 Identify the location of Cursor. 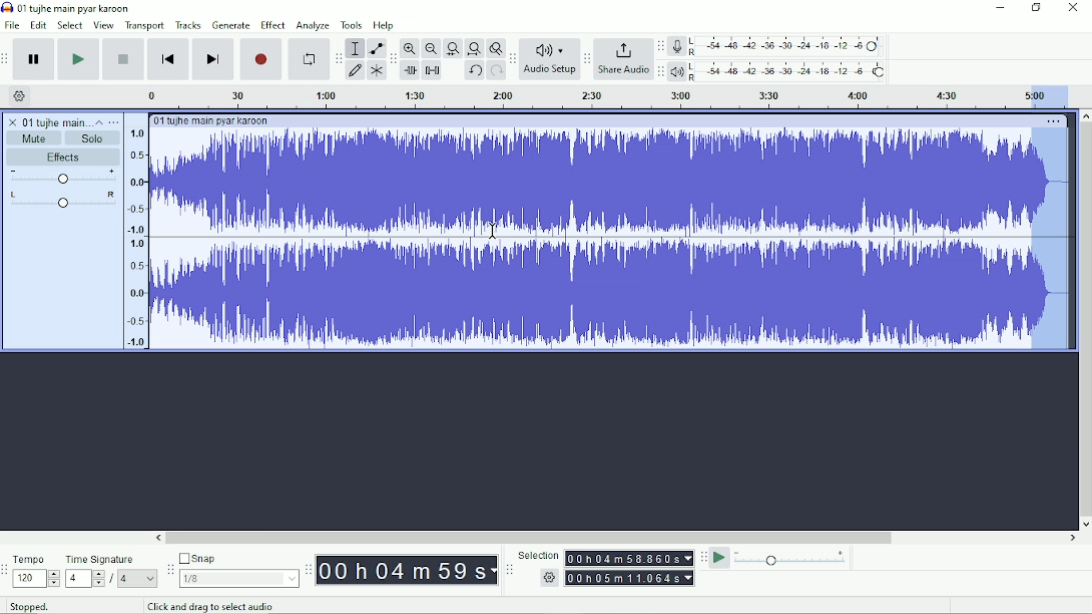
(493, 231).